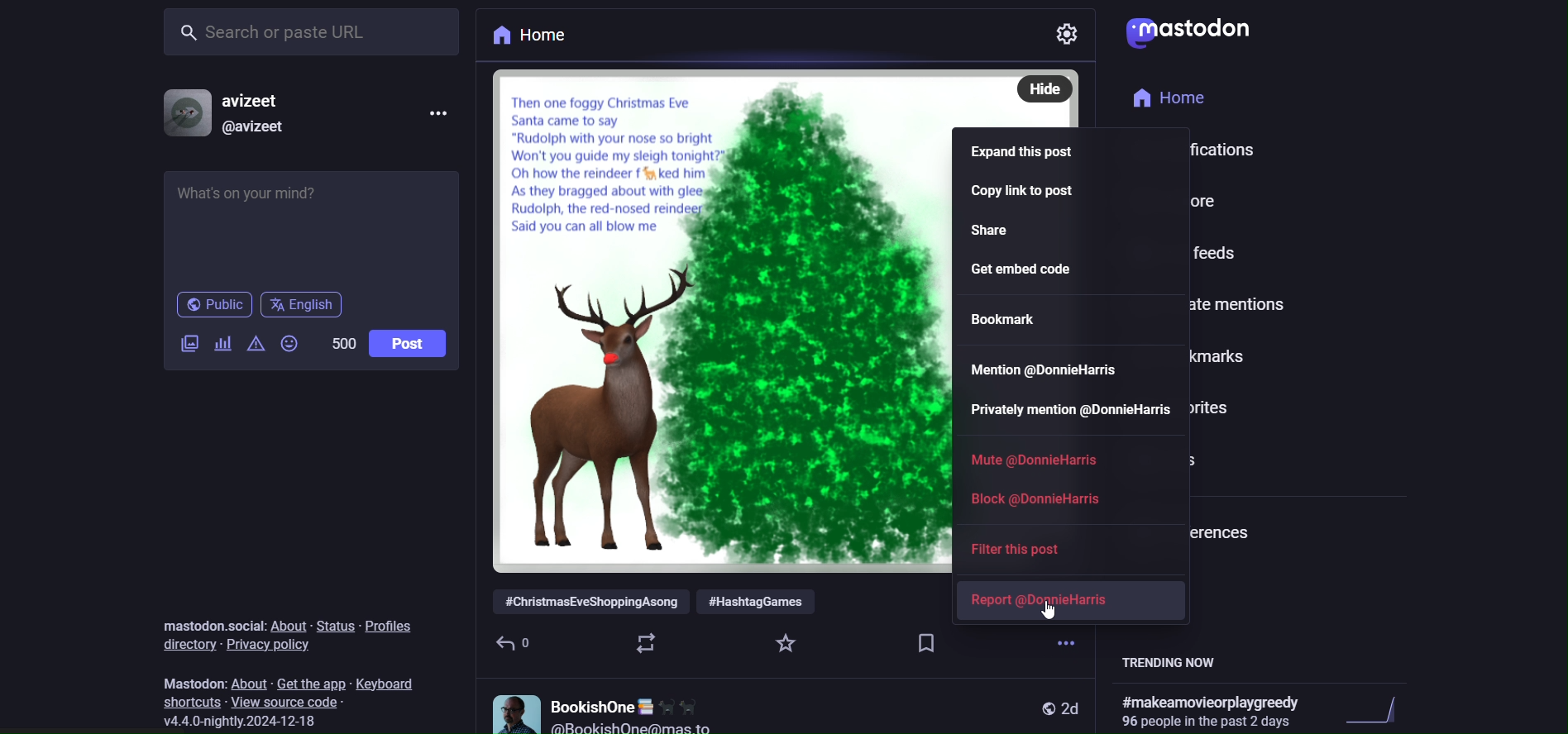 This screenshot has height=734, width=1568. What do you see at coordinates (1207, 356) in the screenshot?
I see `bookmark` at bounding box center [1207, 356].